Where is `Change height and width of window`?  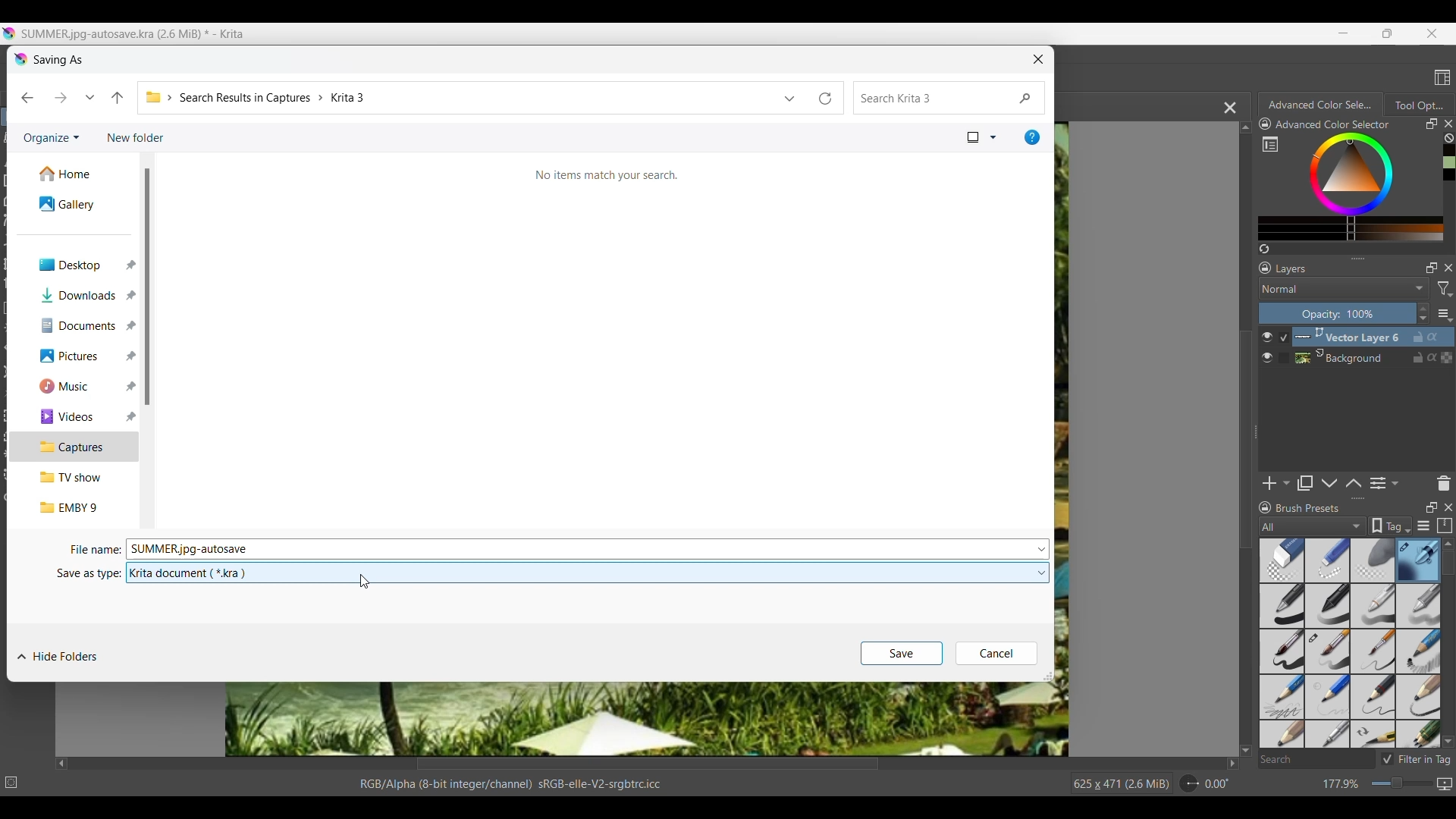 Change height and width of window is located at coordinates (1048, 676).